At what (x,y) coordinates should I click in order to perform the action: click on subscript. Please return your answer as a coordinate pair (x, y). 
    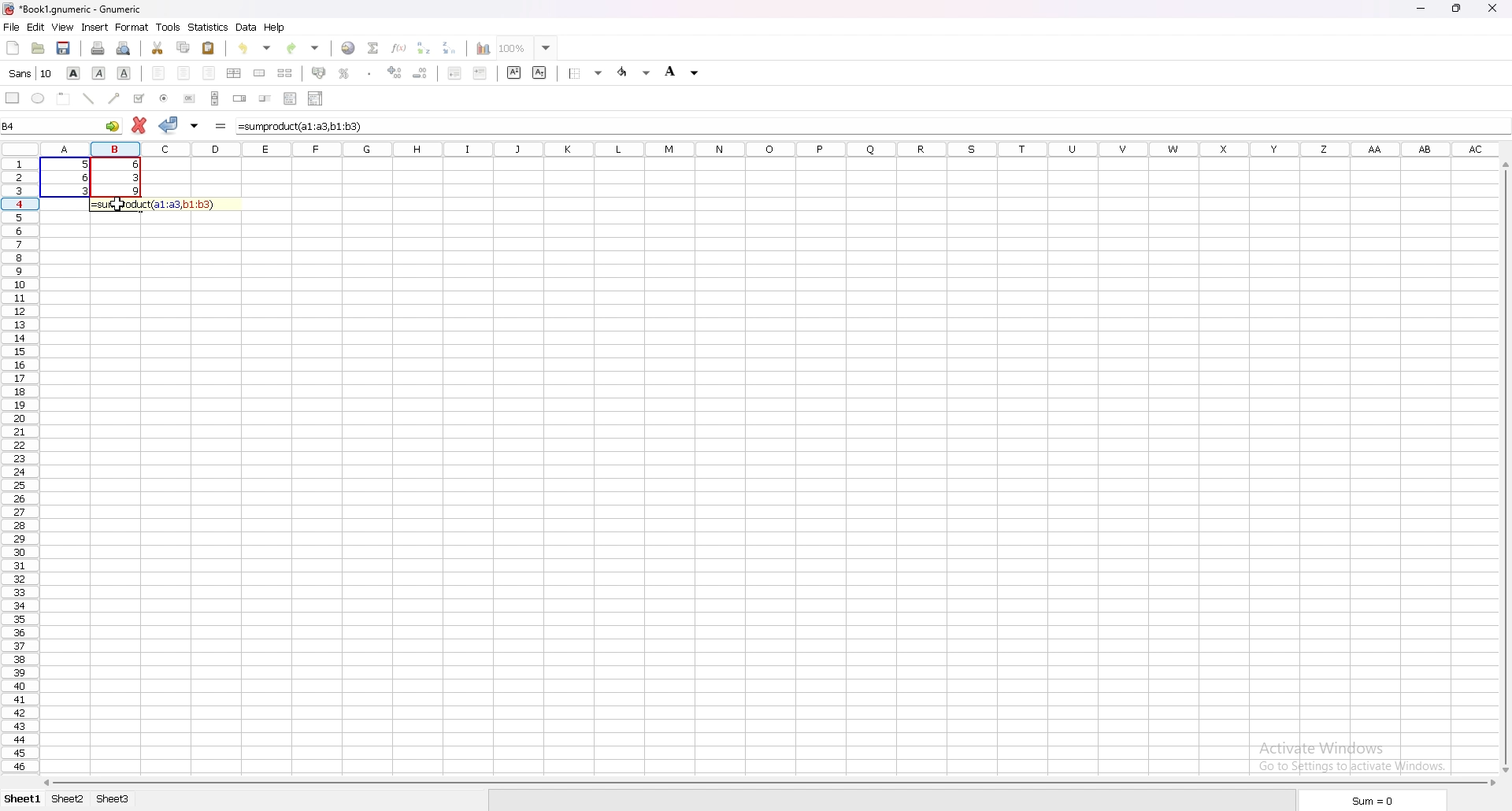
    Looking at the image, I should click on (539, 72).